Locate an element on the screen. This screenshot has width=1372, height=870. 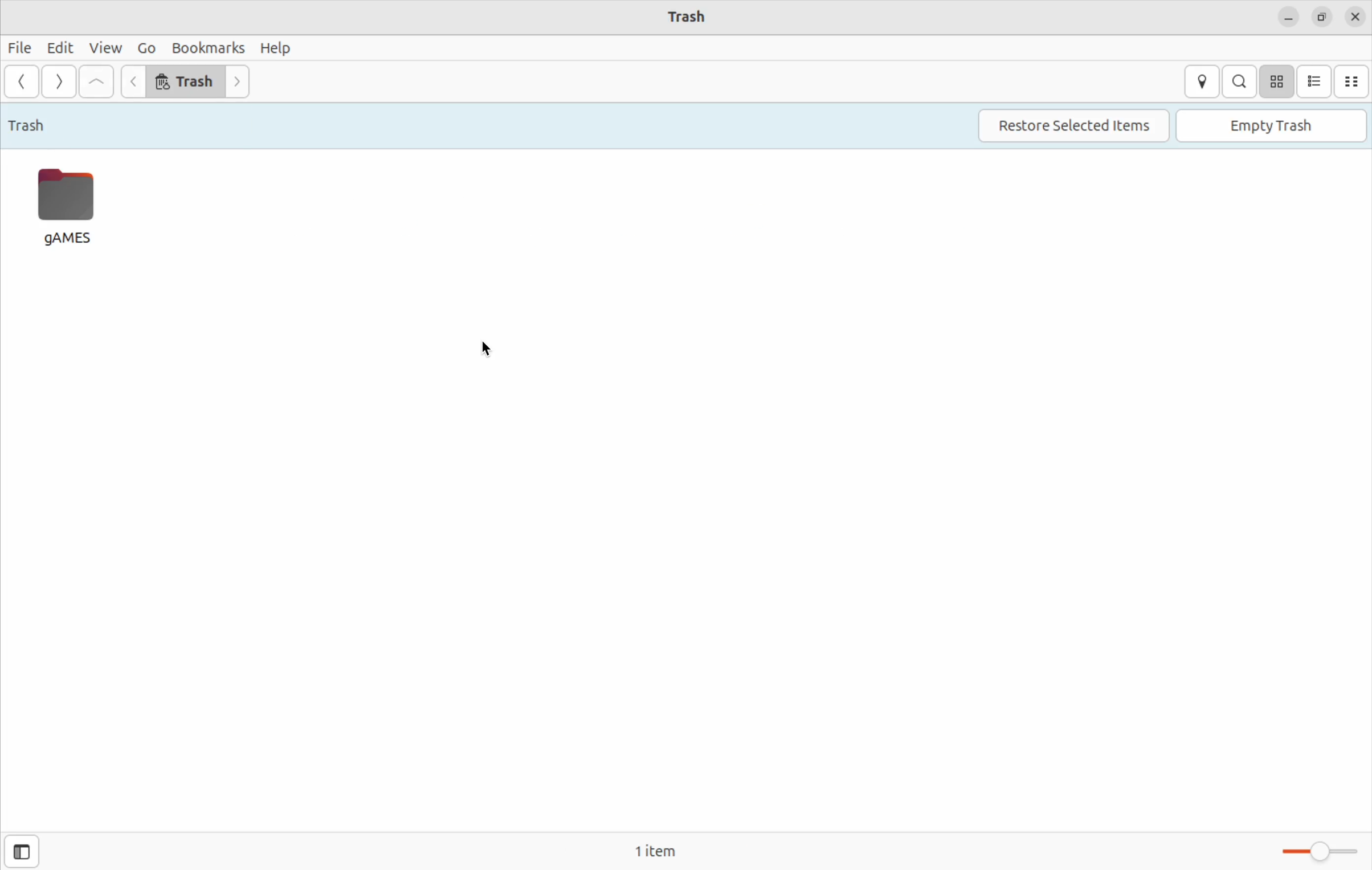
search bar is located at coordinates (1241, 81).